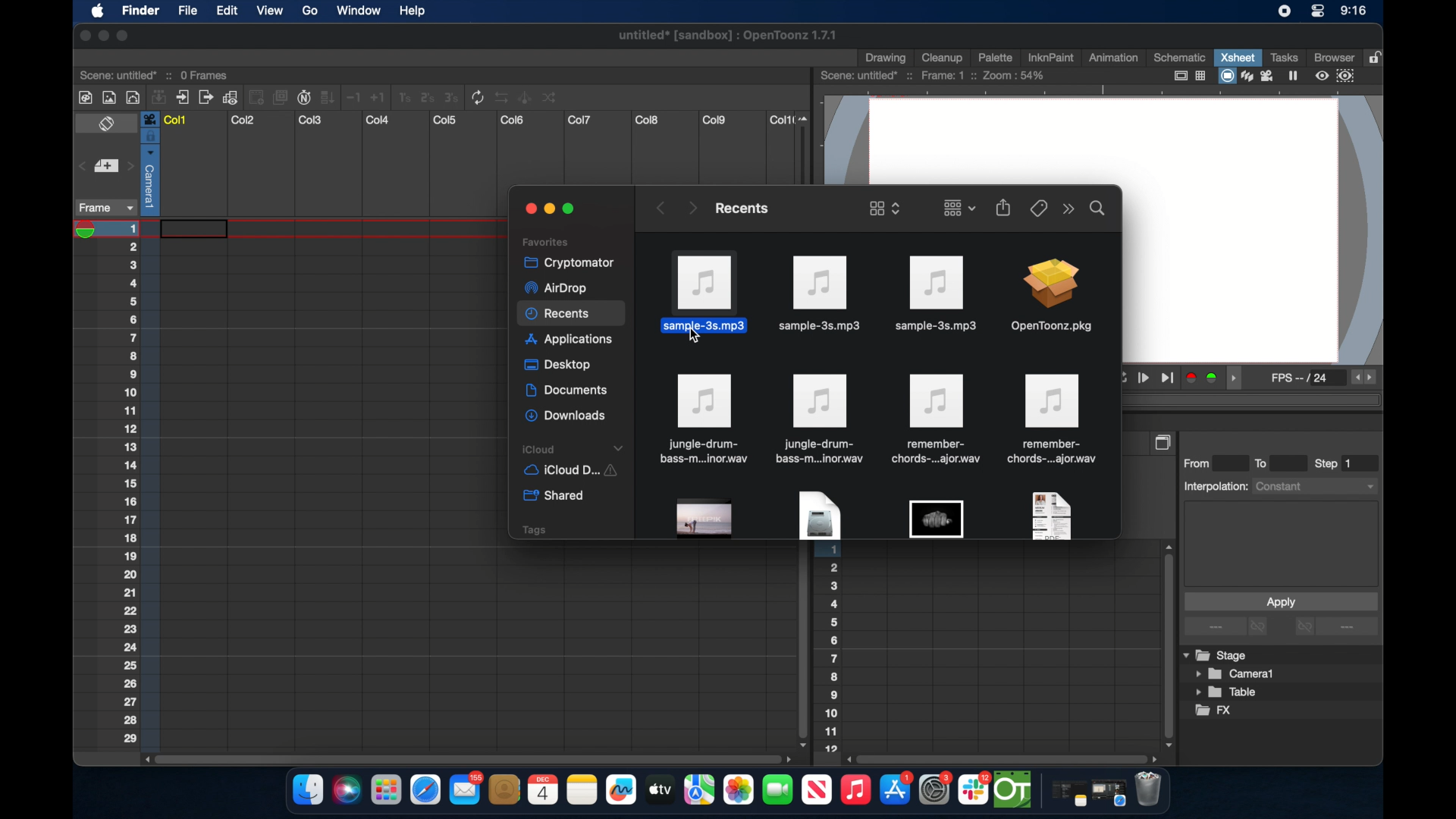 This screenshot has width=1456, height=819. What do you see at coordinates (1236, 674) in the screenshot?
I see `camera1` at bounding box center [1236, 674].